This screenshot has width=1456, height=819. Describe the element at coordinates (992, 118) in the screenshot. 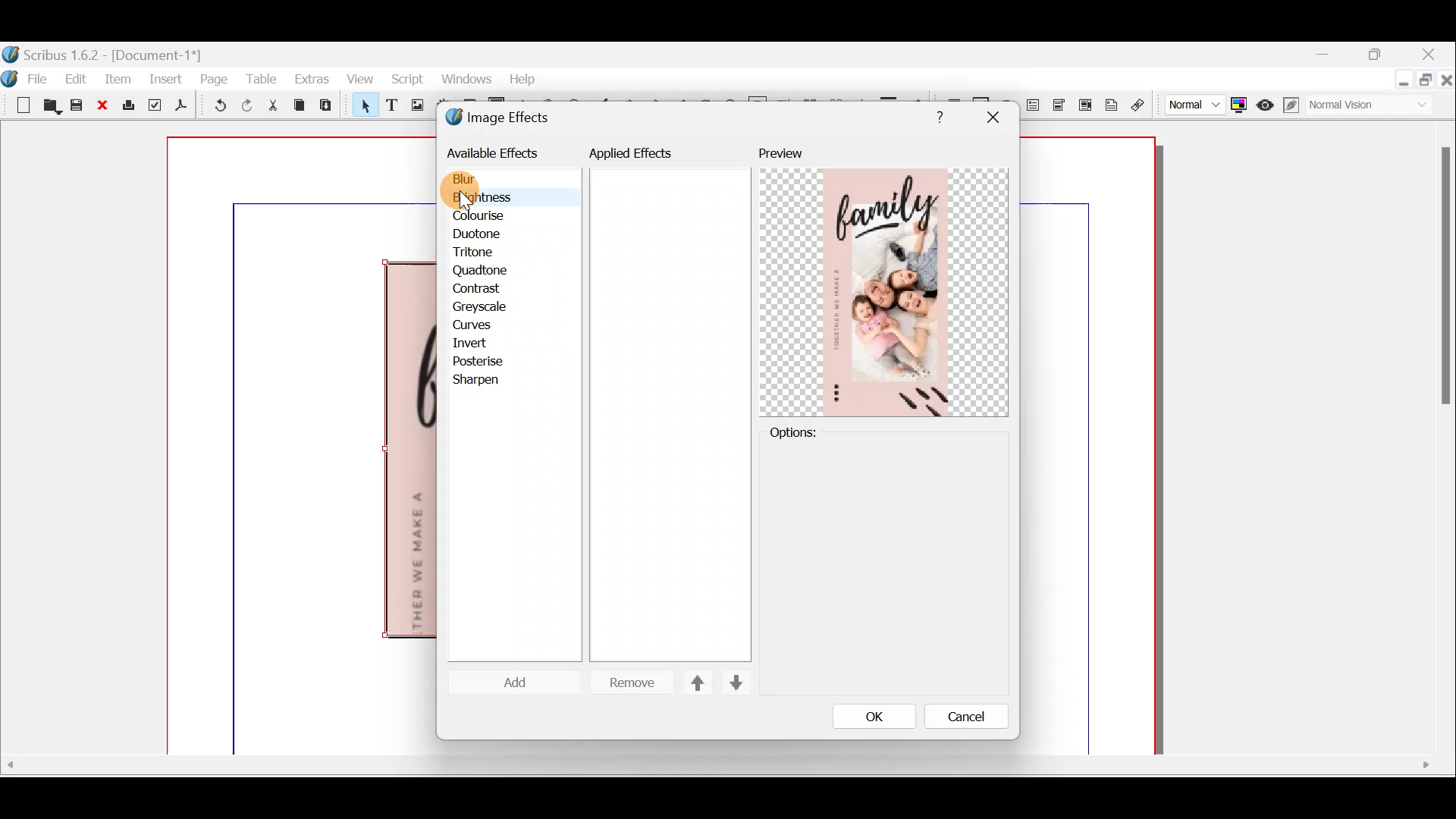

I see `` at that location.